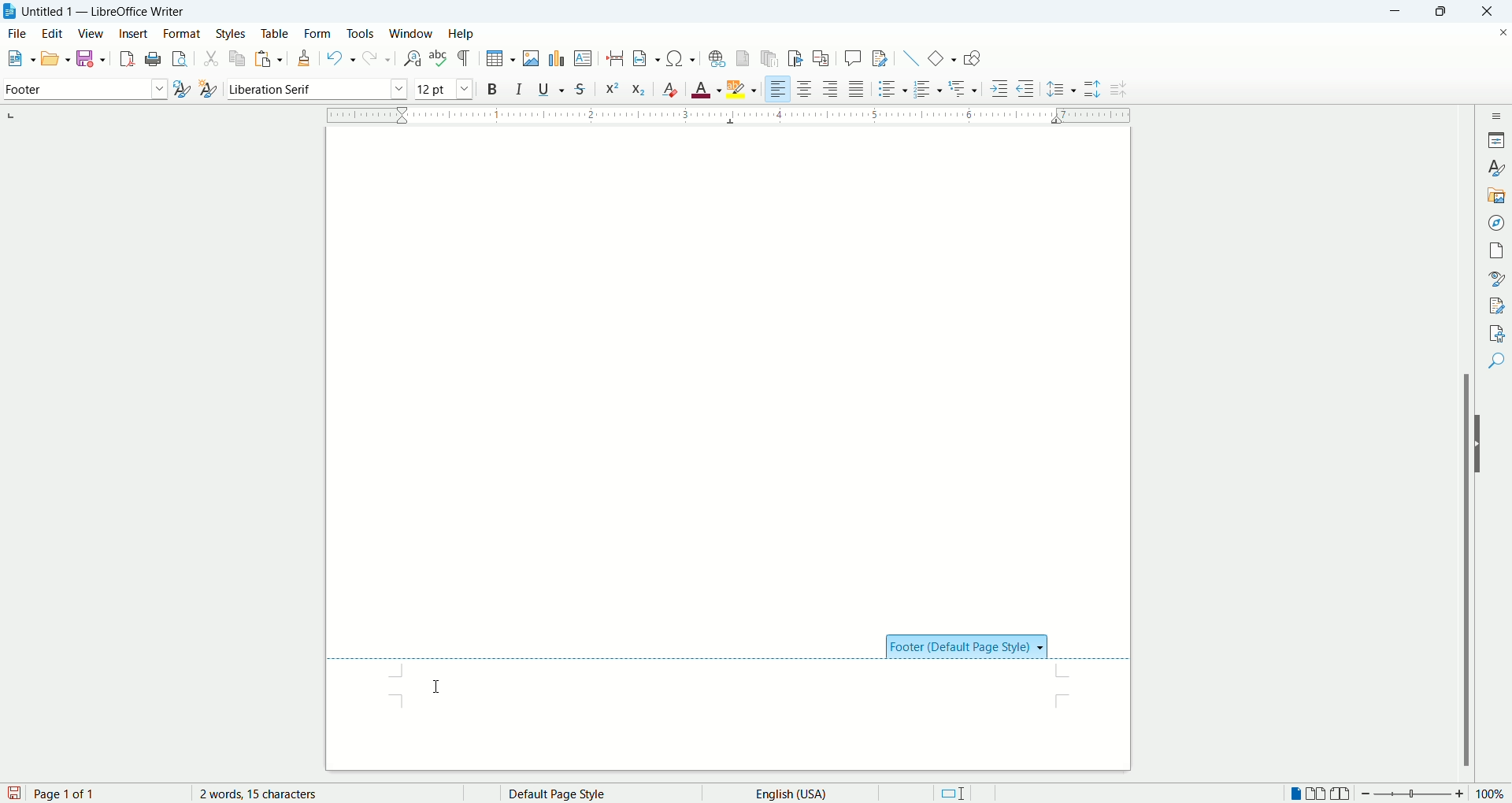 Image resolution: width=1512 pixels, height=803 pixels. I want to click on insert text, so click(582, 59).